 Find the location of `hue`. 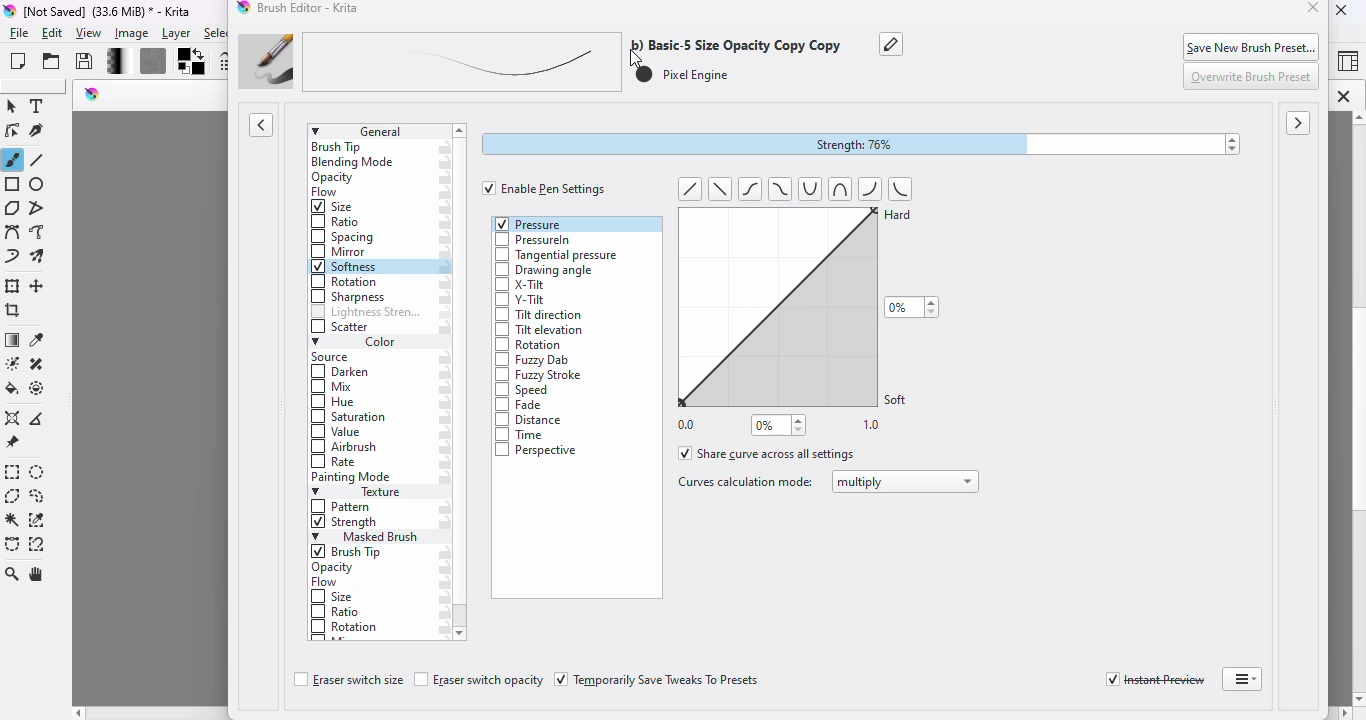

hue is located at coordinates (333, 403).